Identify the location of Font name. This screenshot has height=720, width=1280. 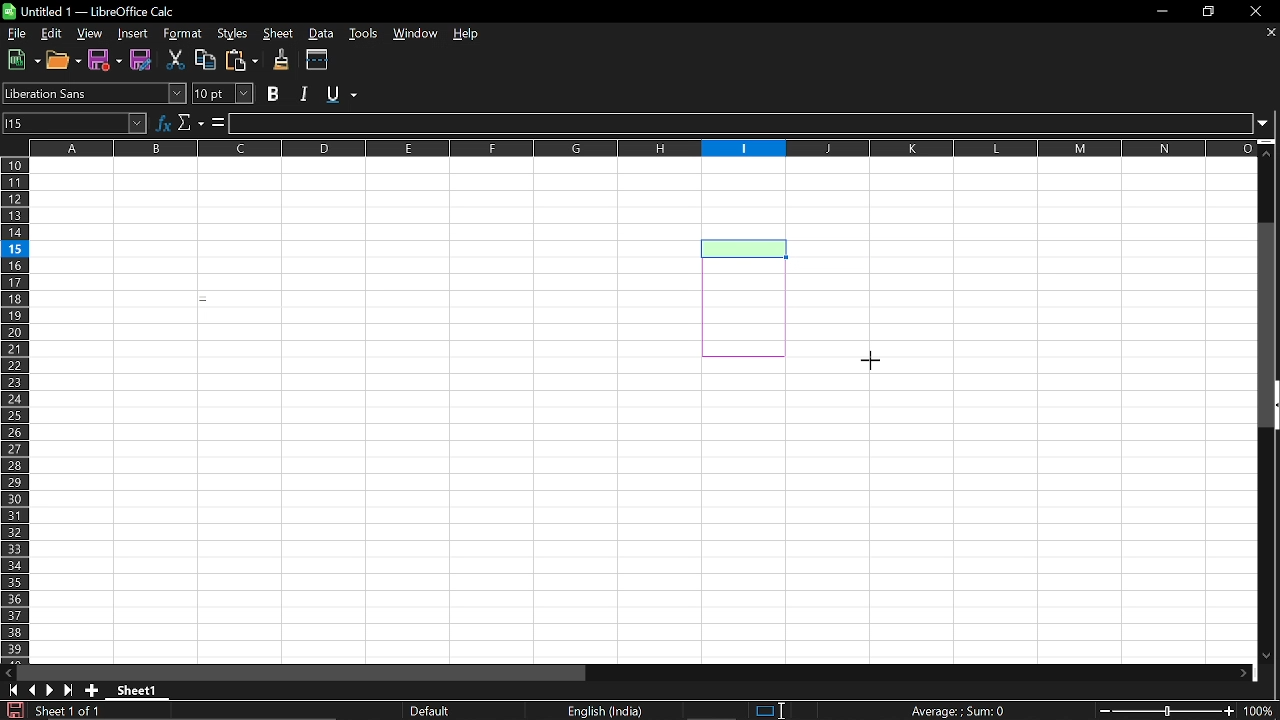
(94, 92).